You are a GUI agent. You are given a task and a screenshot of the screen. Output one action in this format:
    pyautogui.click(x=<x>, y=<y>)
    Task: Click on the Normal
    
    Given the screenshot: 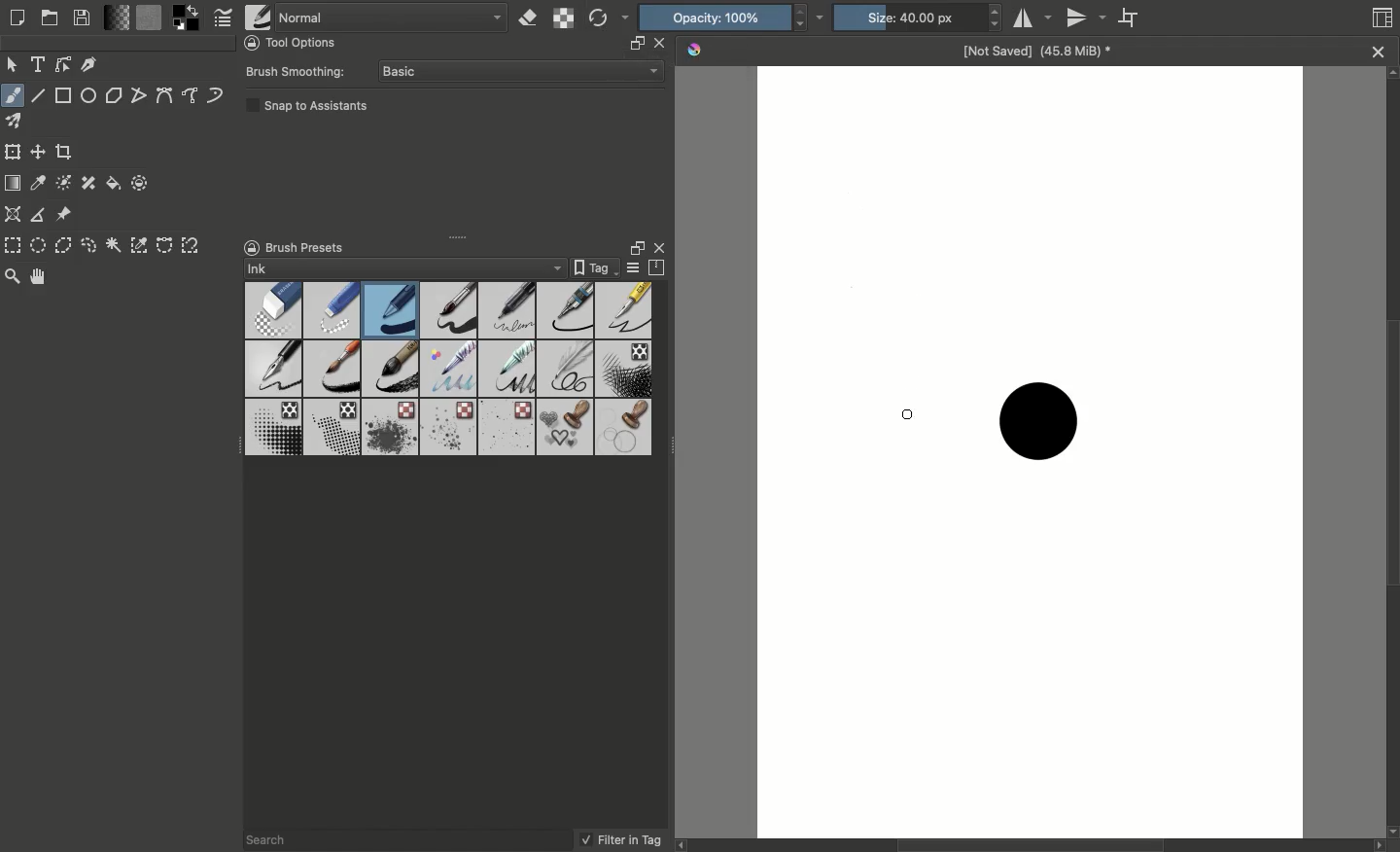 What is the action you would take?
    pyautogui.click(x=393, y=16)
    